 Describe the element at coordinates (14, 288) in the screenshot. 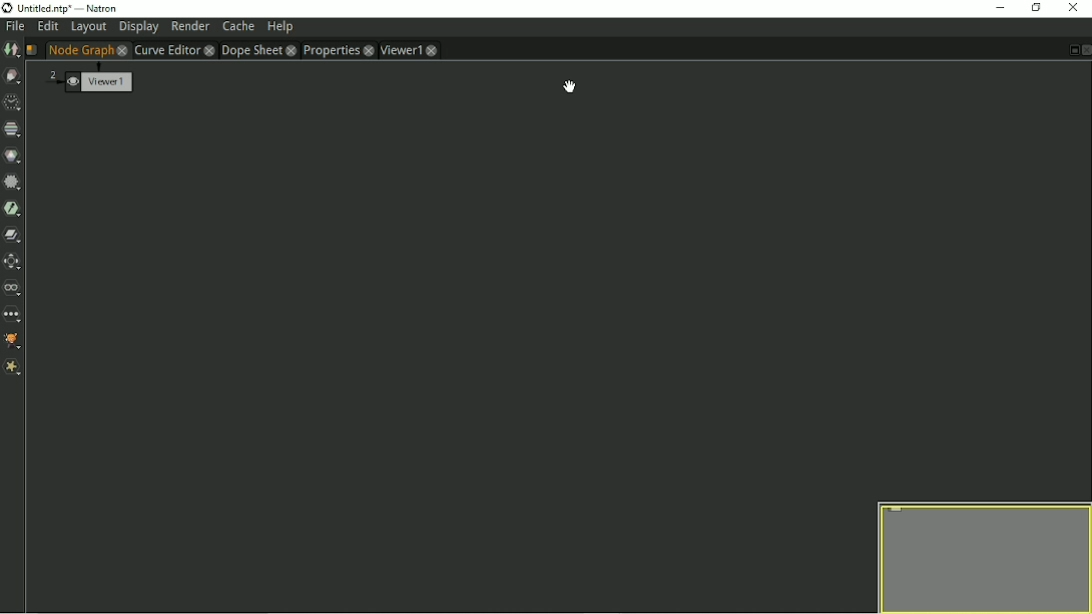

I see `Views` at that location.